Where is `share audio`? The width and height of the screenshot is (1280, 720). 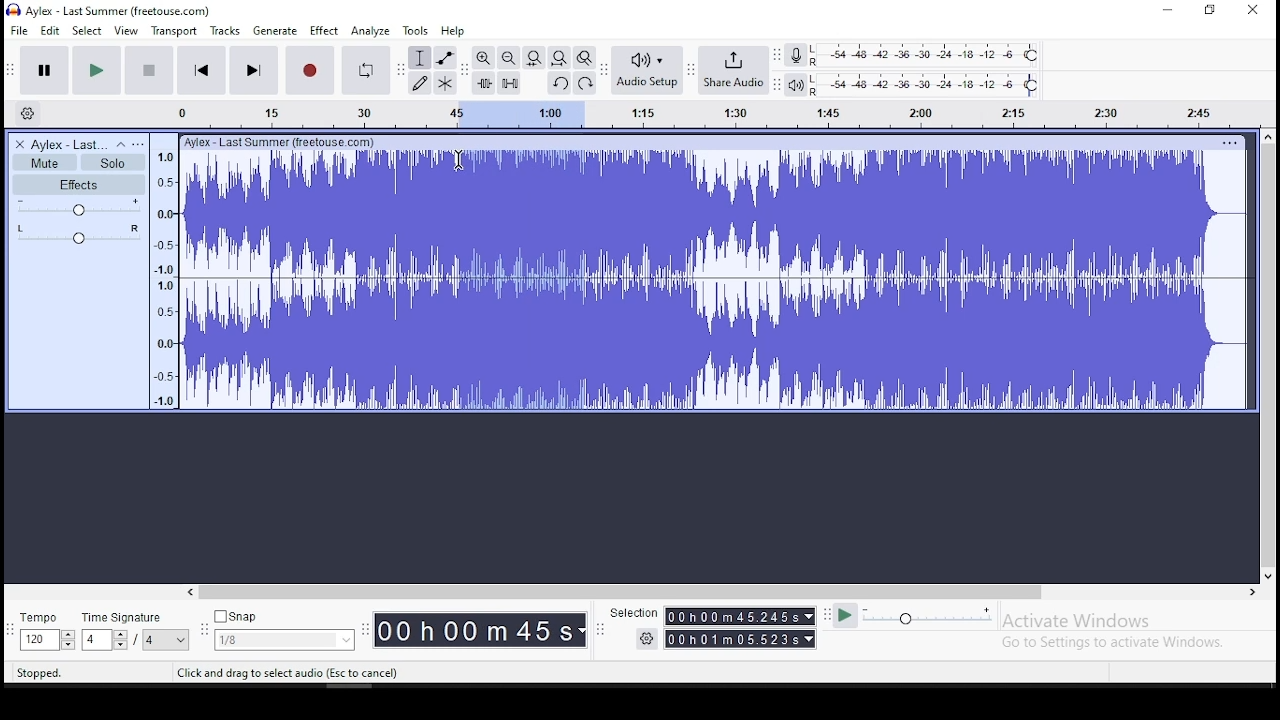
share audio is located at coordinates (736, 71).